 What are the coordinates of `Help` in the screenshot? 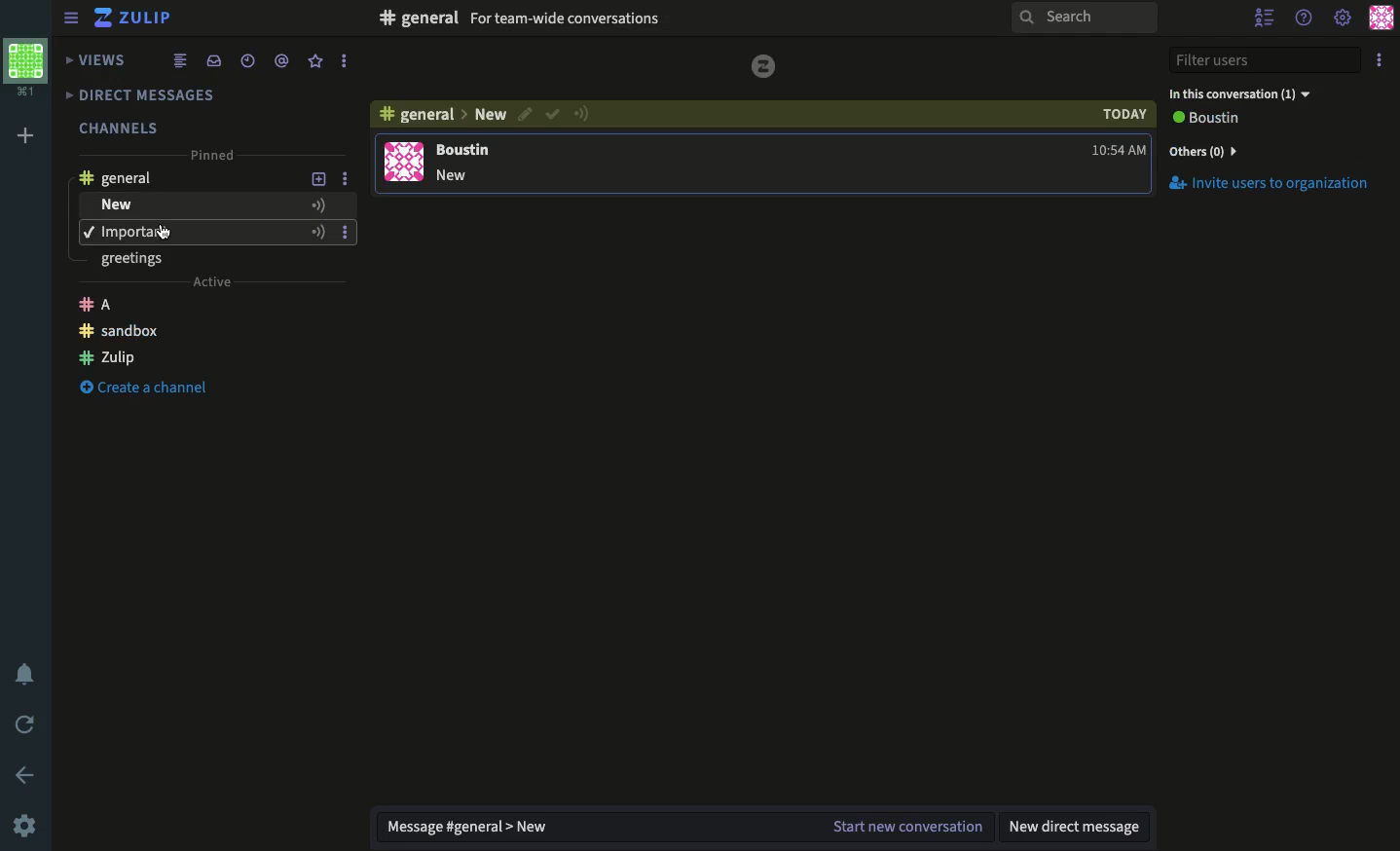 It's located at (1306, 19).